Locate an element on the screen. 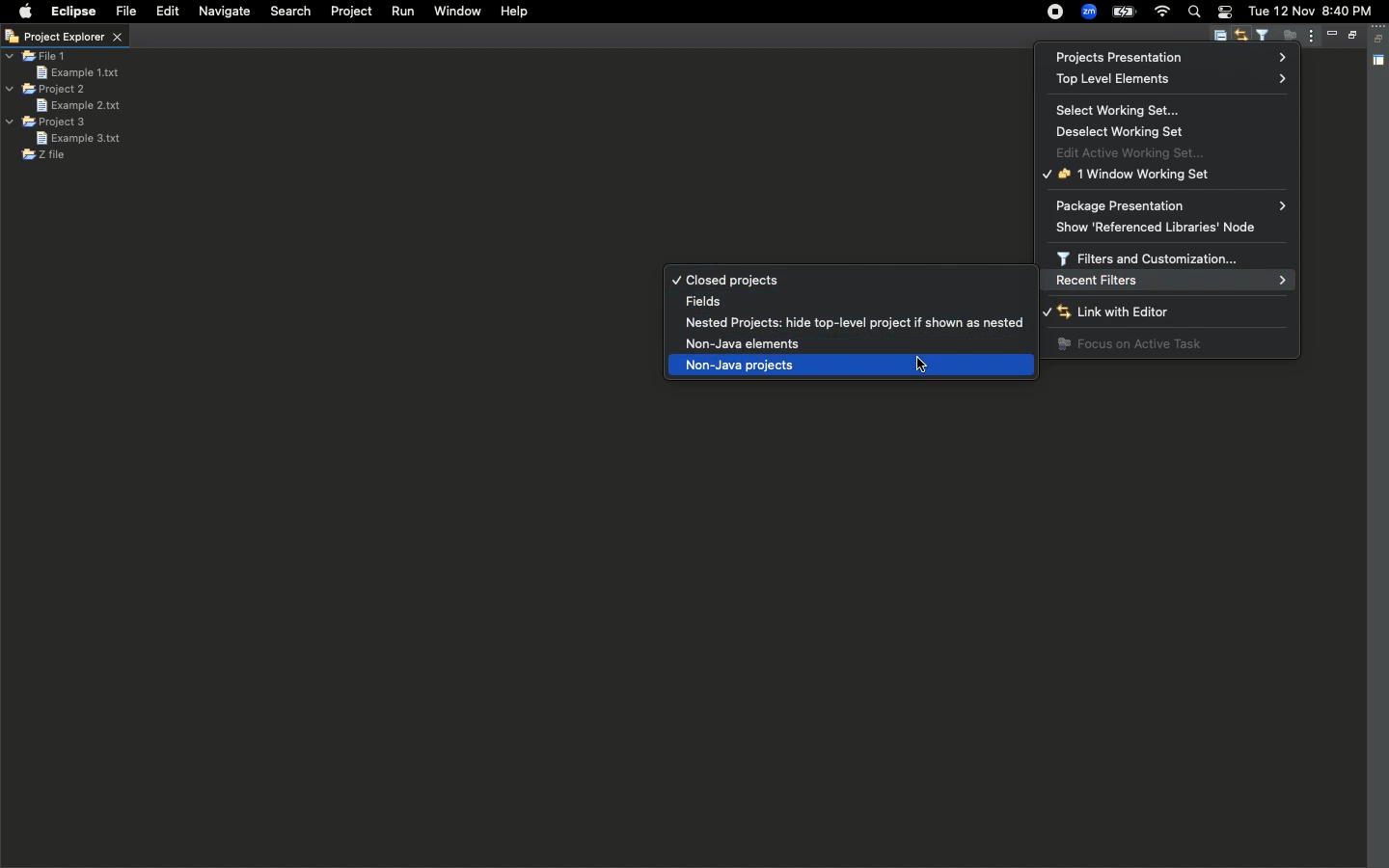  File 1 is located at coordinates (38, 57).